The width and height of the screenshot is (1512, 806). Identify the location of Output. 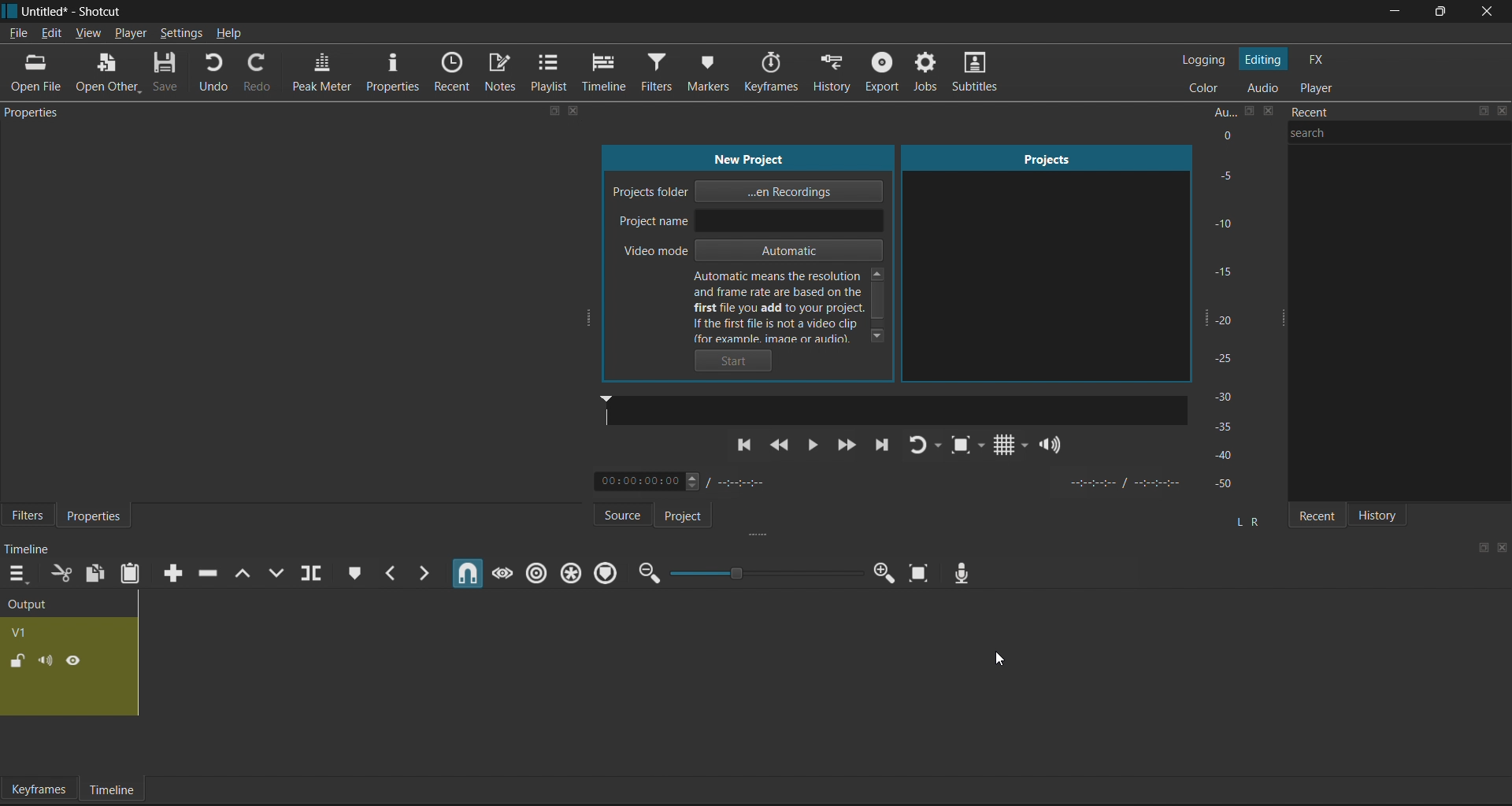
(63, 601).